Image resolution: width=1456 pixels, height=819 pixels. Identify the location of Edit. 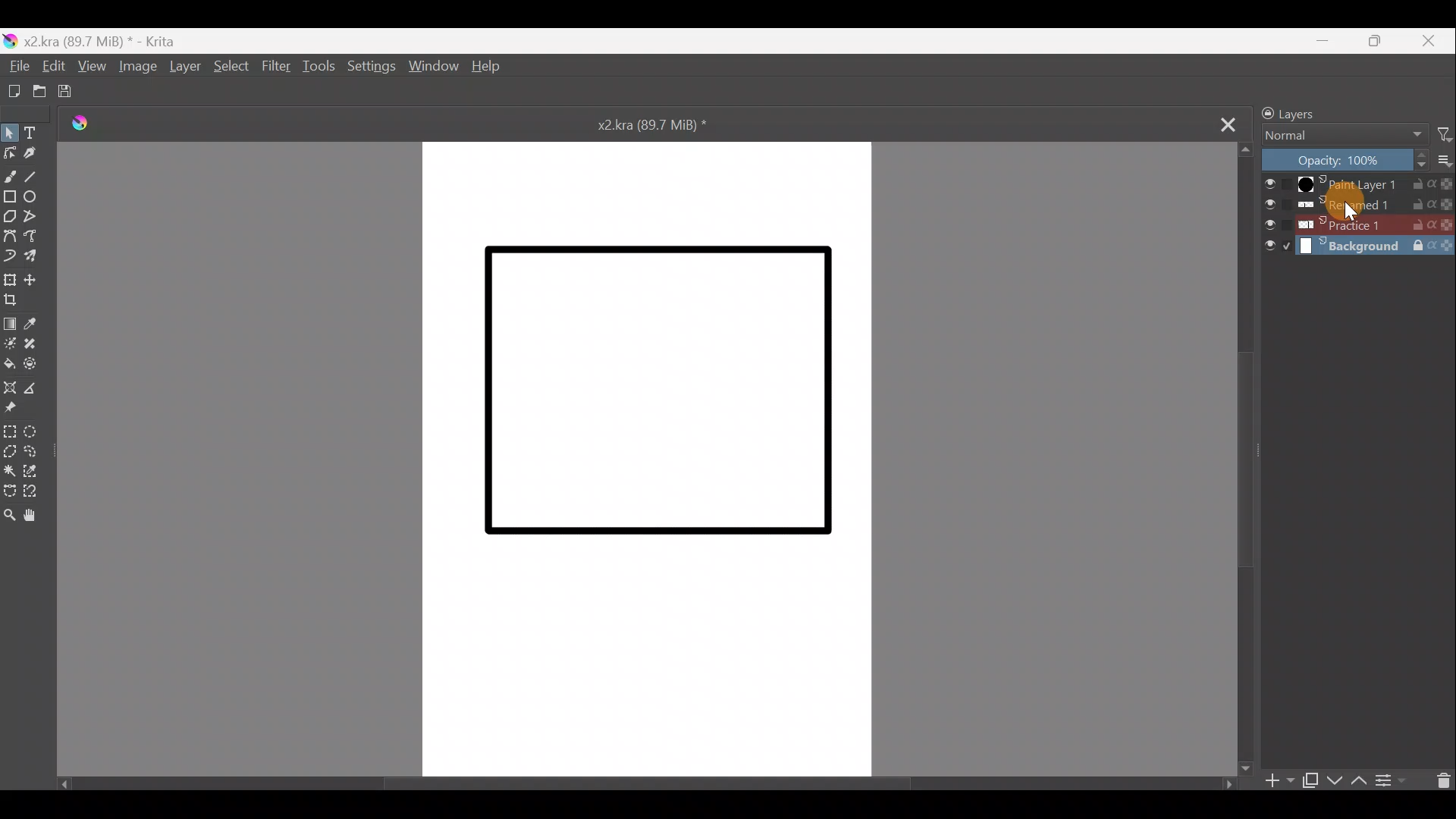
(52, 68).